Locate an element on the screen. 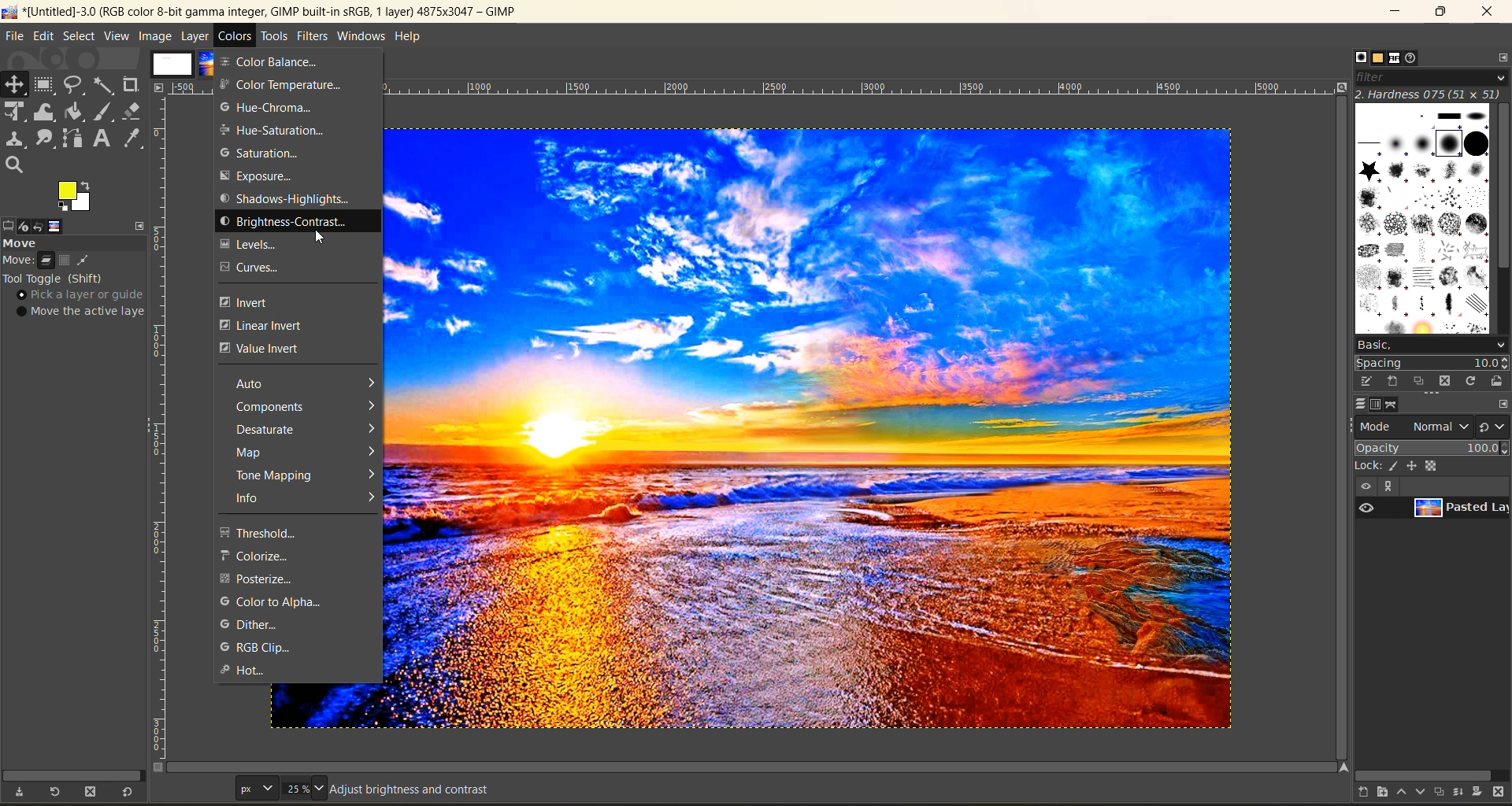  linear insert is located at coordinates (268, 325).